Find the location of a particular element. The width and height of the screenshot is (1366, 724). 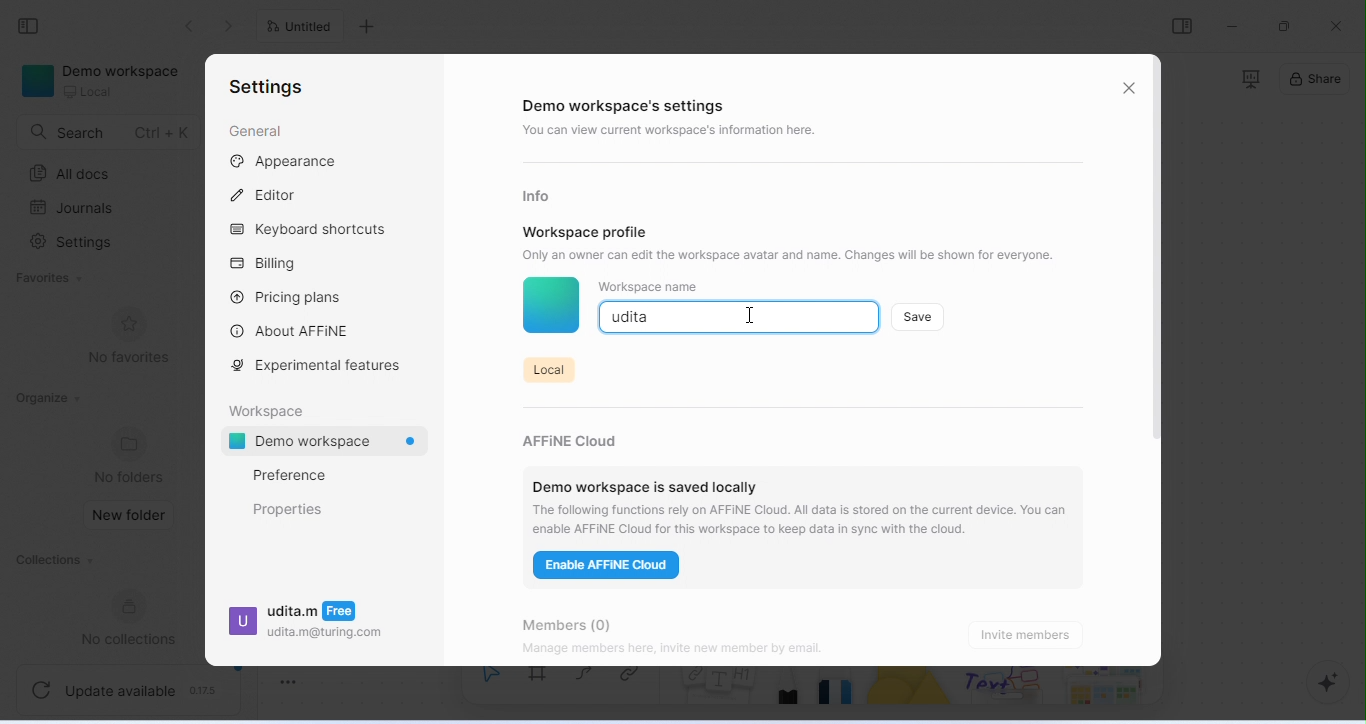

untitled is located at coordinates (304, 28).